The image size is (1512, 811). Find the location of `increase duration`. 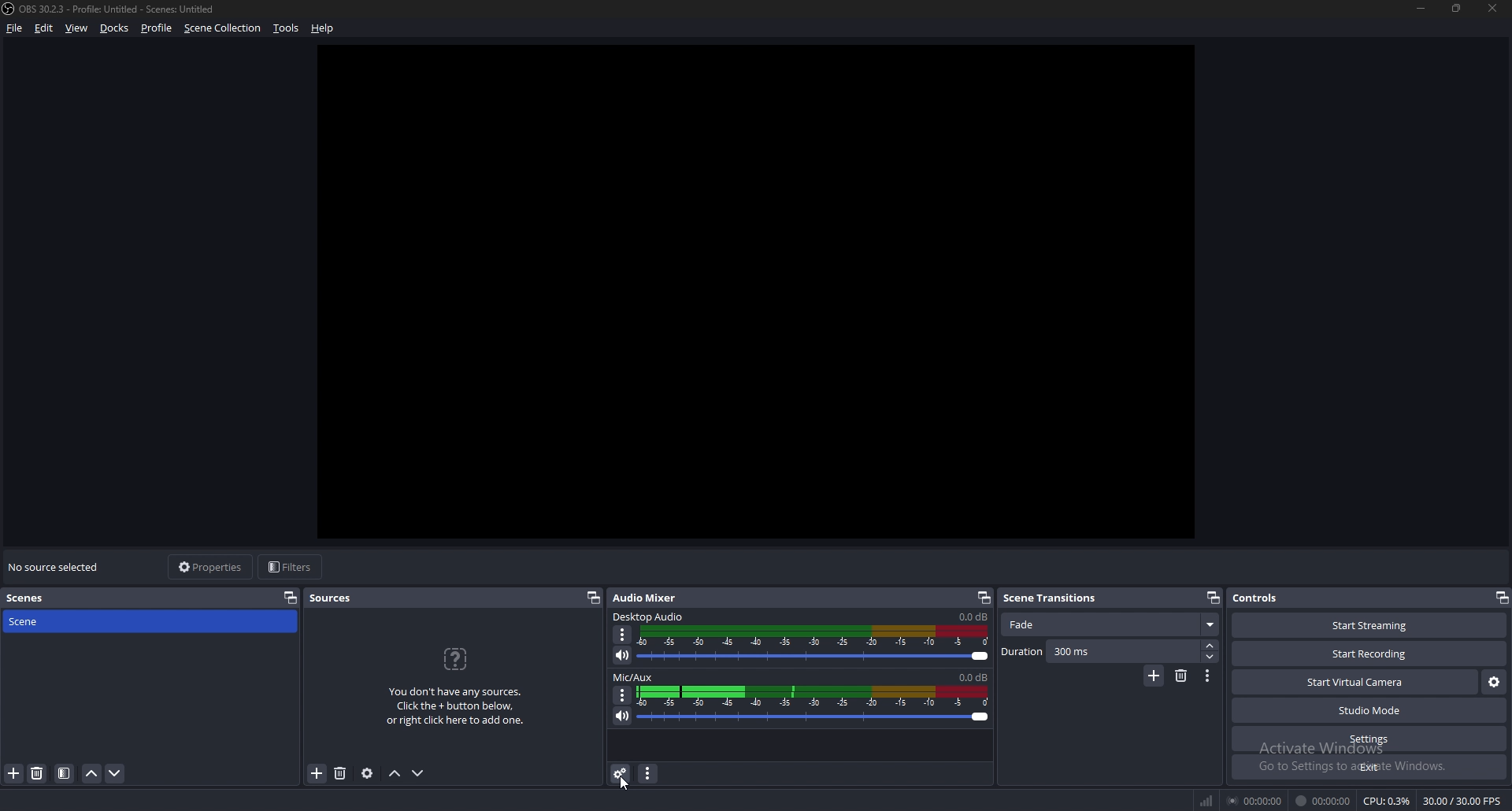

increase duration is located at coordinates (1210, 645).